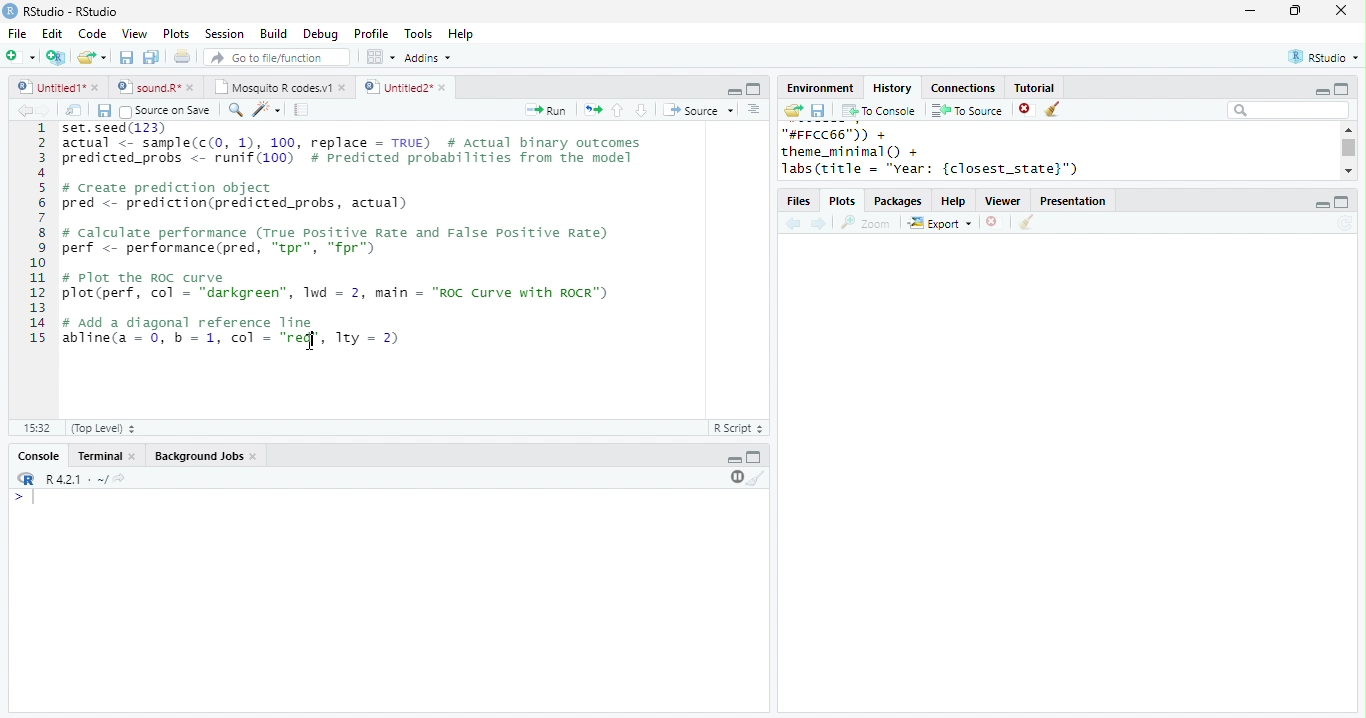 Image resolution: width=1366 pixels, height=718 pixels. Describe the element at coordinates (236, 110) in the screenshot. I see `search` at that location.